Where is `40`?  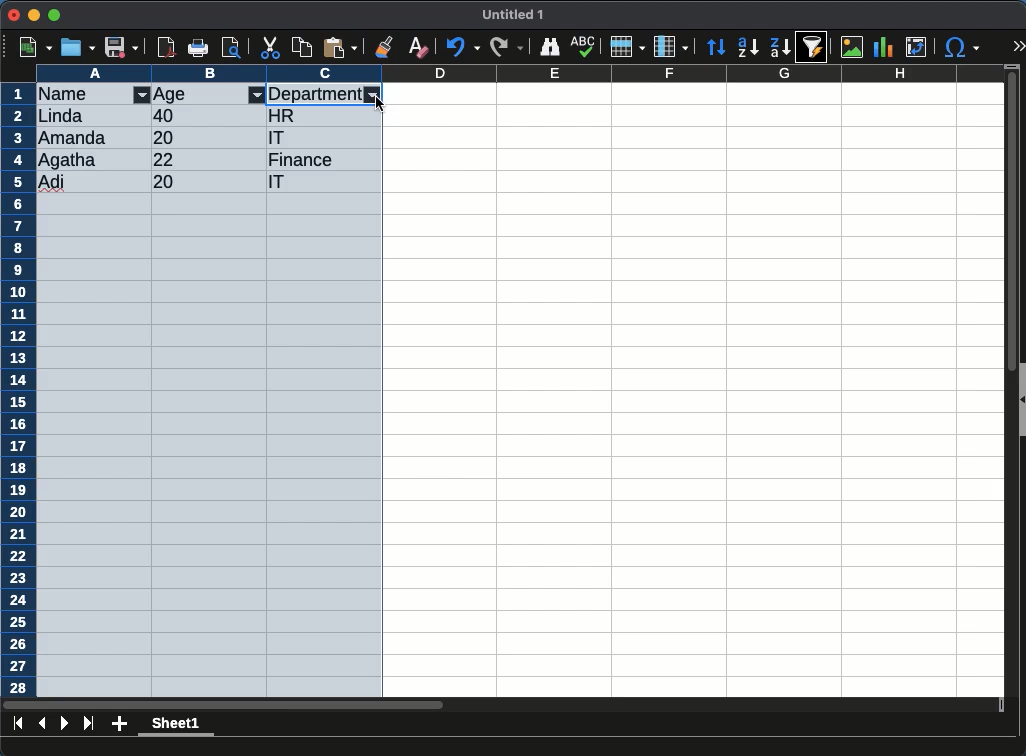
40 is located at coordinates (164, 116).